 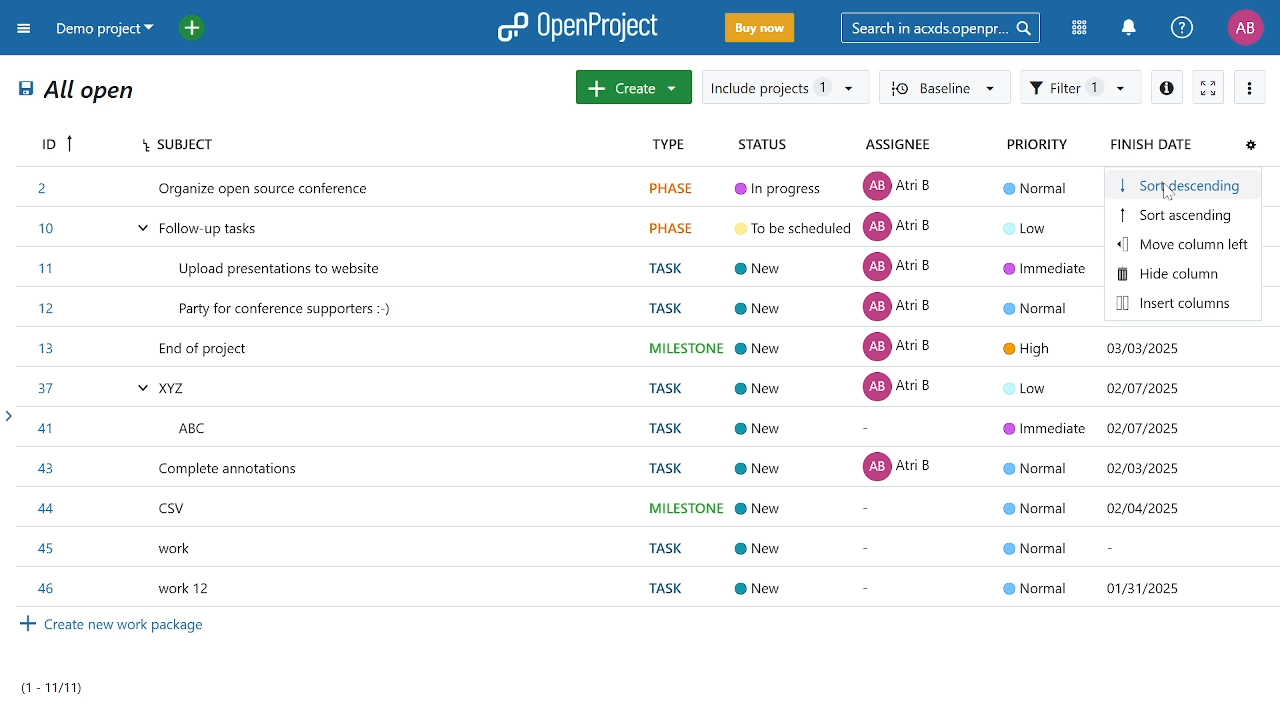 I want to click on task titled "Upload presentations to website", so click(x=564, y=267).